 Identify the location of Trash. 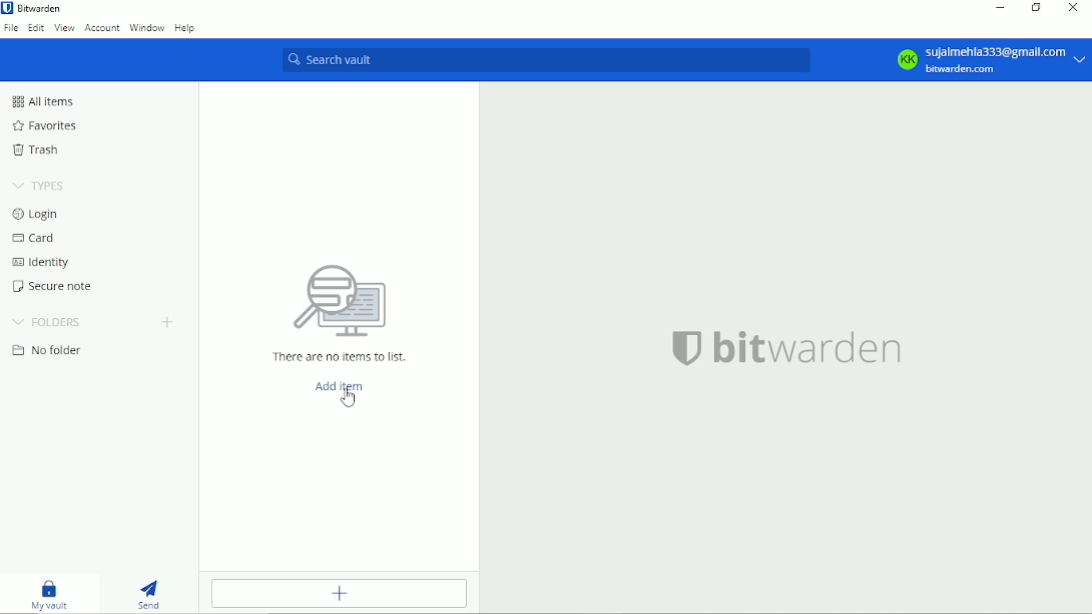
(38, 149).